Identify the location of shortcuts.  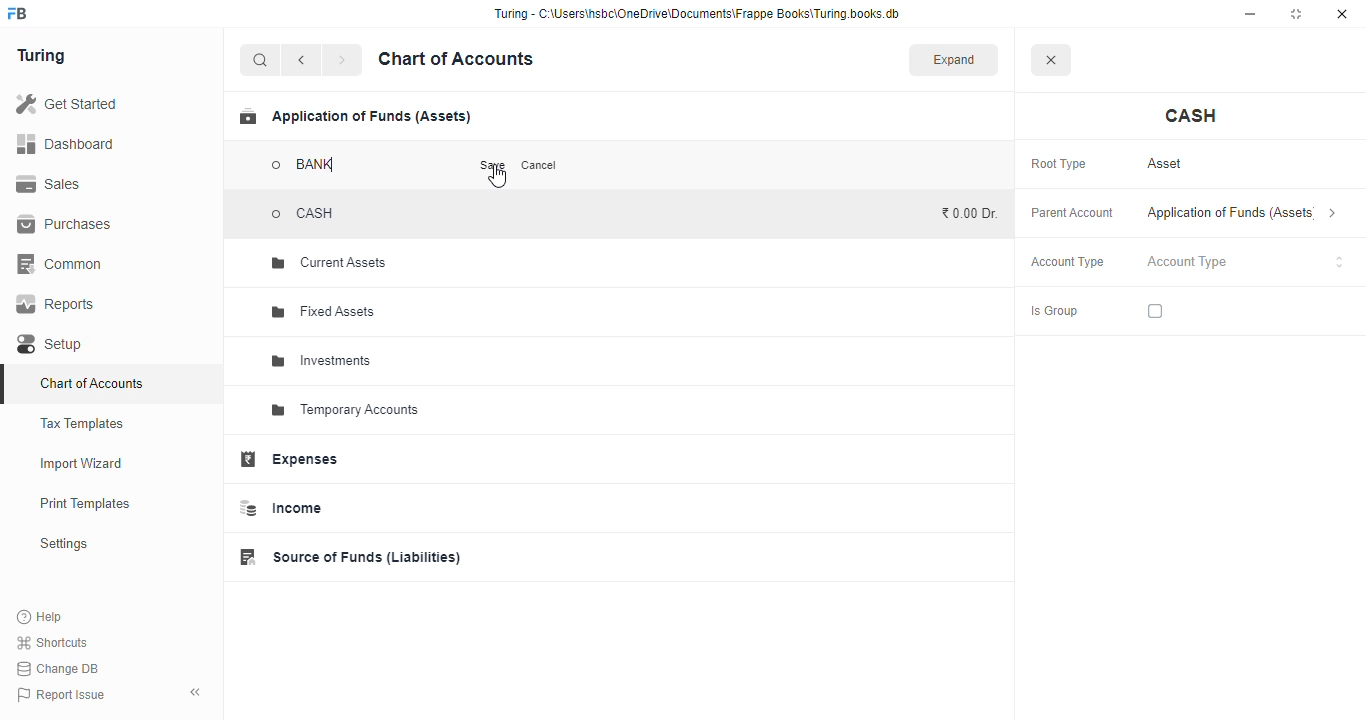
(53, 642).